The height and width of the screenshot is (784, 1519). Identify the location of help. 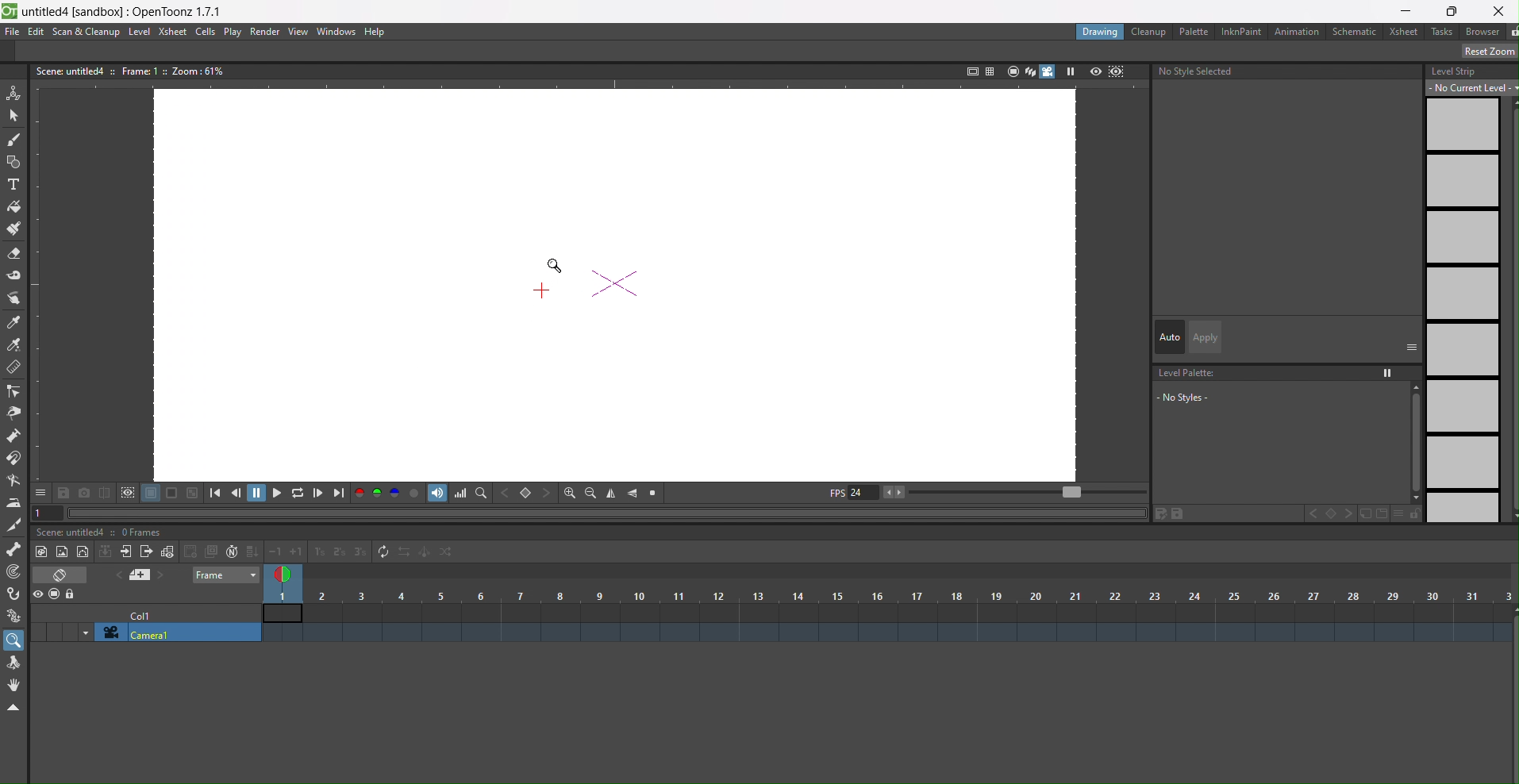
(375, 31).